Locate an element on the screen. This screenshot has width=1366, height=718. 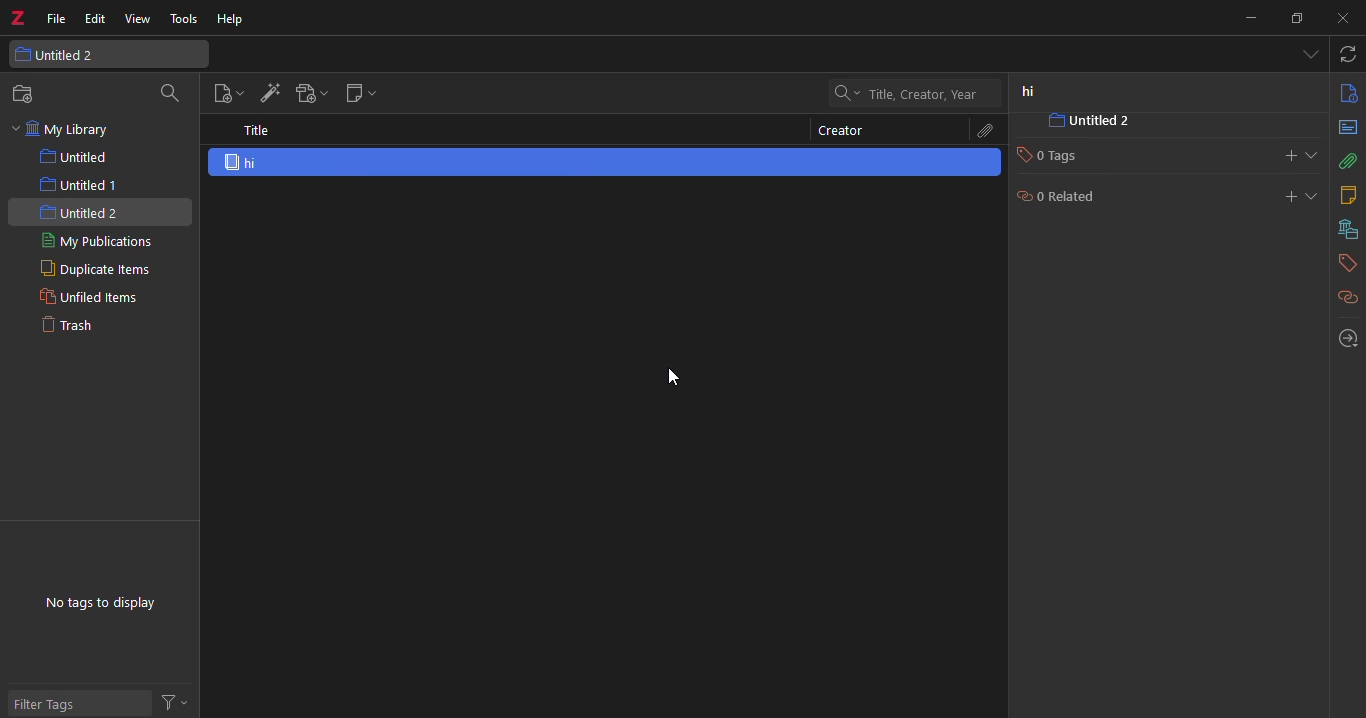
attach is located at coordinates (1347, 163).